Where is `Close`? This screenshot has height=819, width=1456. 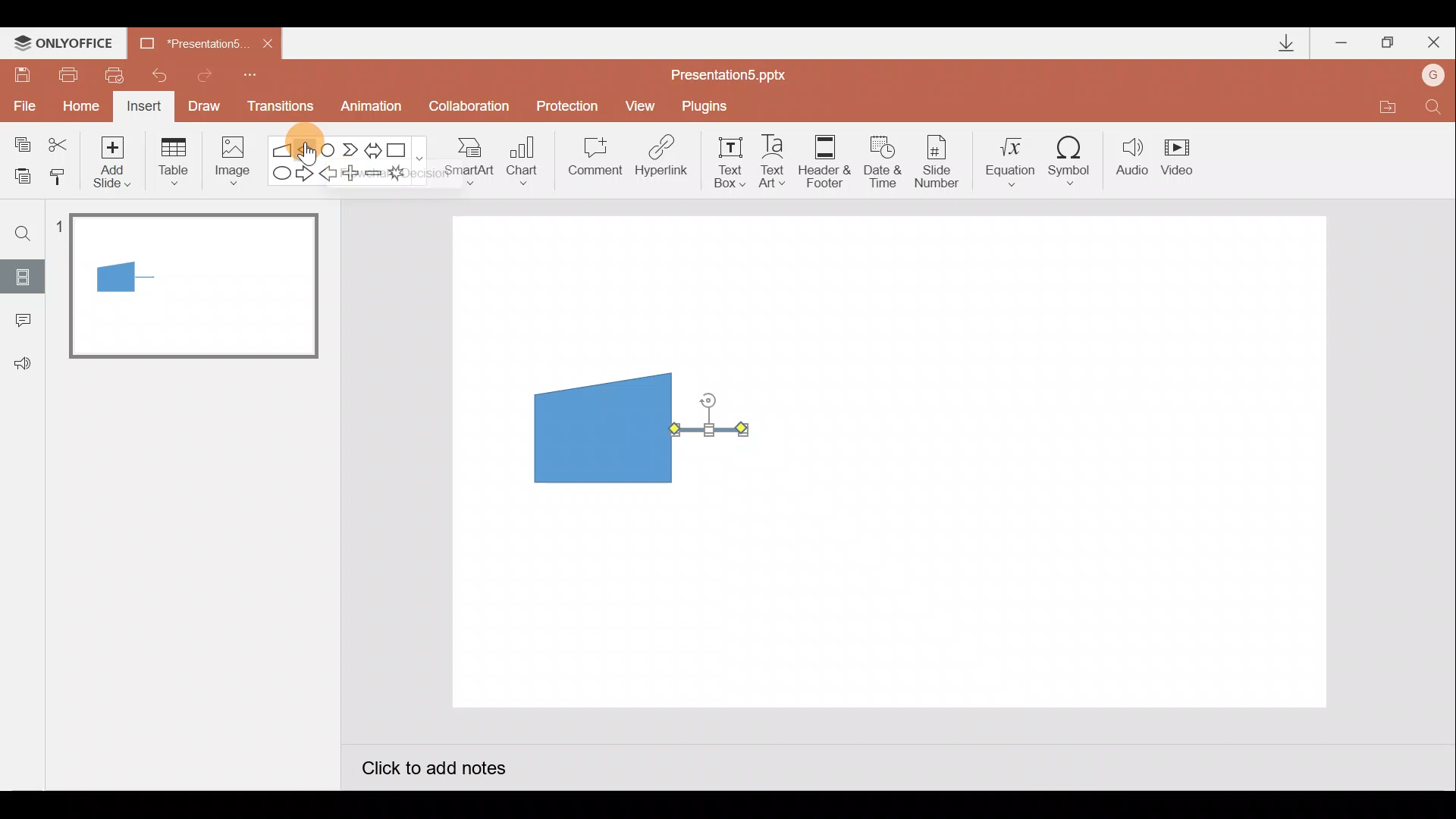
Close is located at coordinates (1434, 45).